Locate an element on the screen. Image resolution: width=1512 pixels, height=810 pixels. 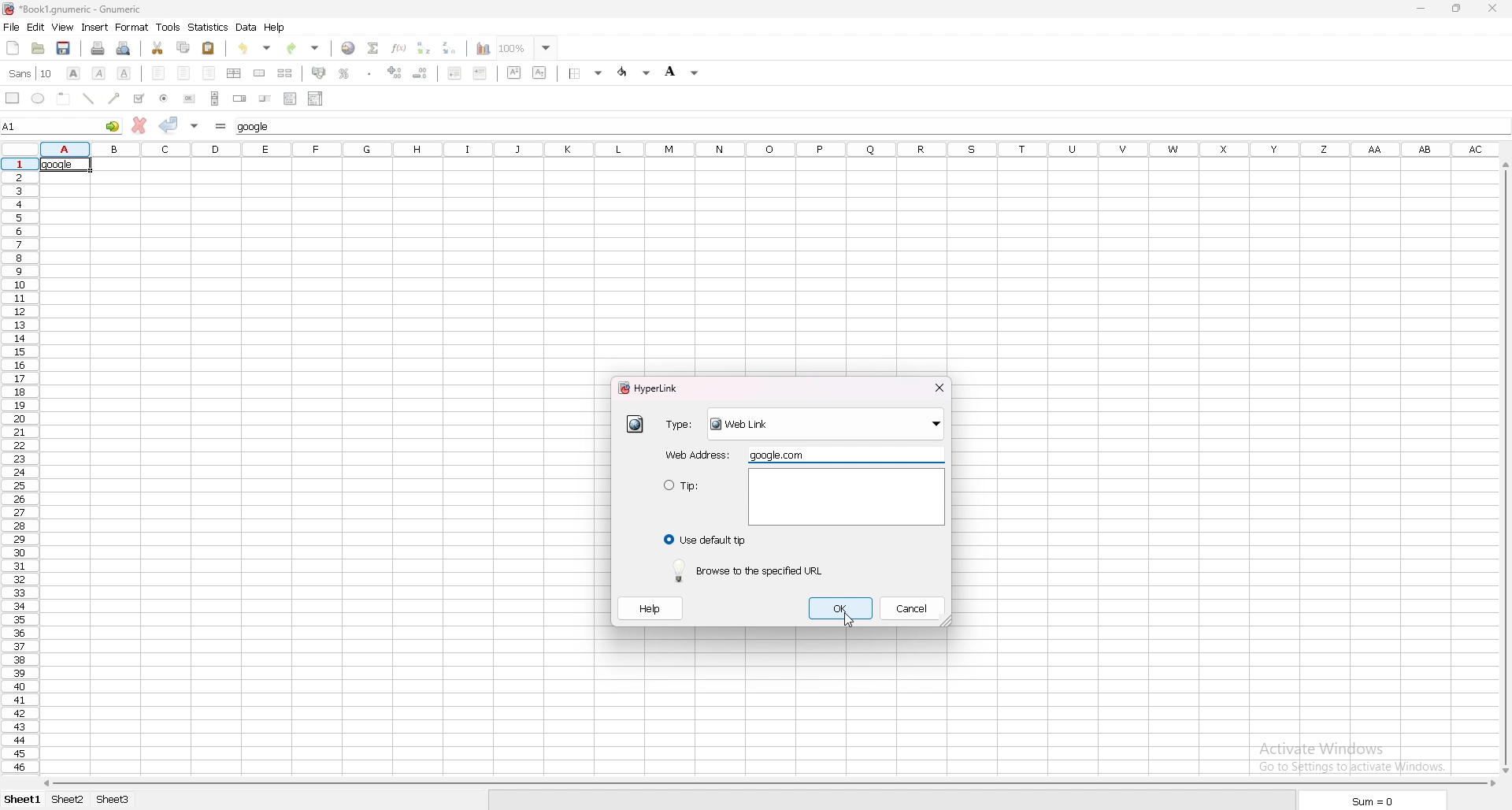
increase decimals is located at coordinates (395, 72).